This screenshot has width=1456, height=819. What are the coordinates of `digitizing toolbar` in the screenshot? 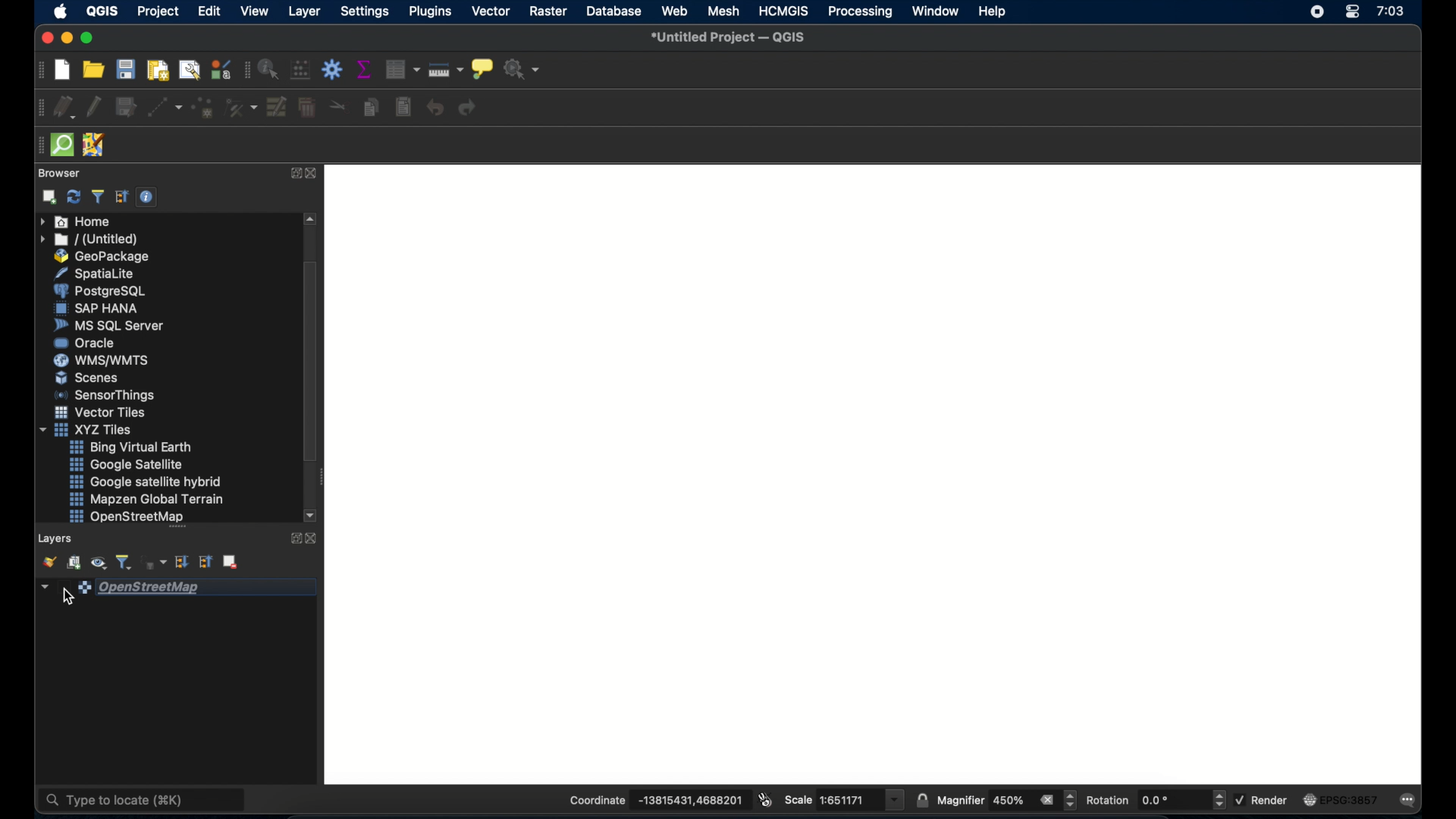 It's located at (39, 109).